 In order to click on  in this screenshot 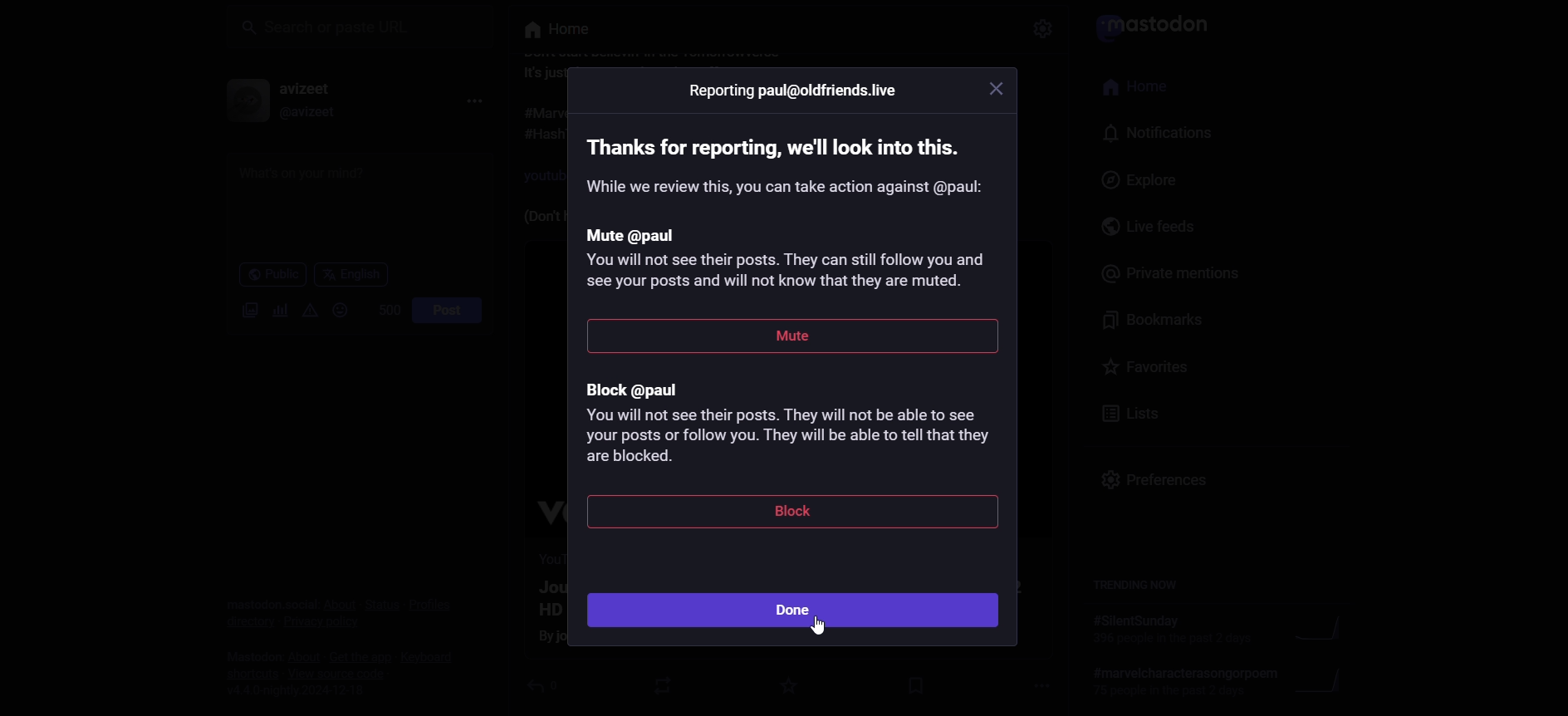, I will do `click(784, 186)`.